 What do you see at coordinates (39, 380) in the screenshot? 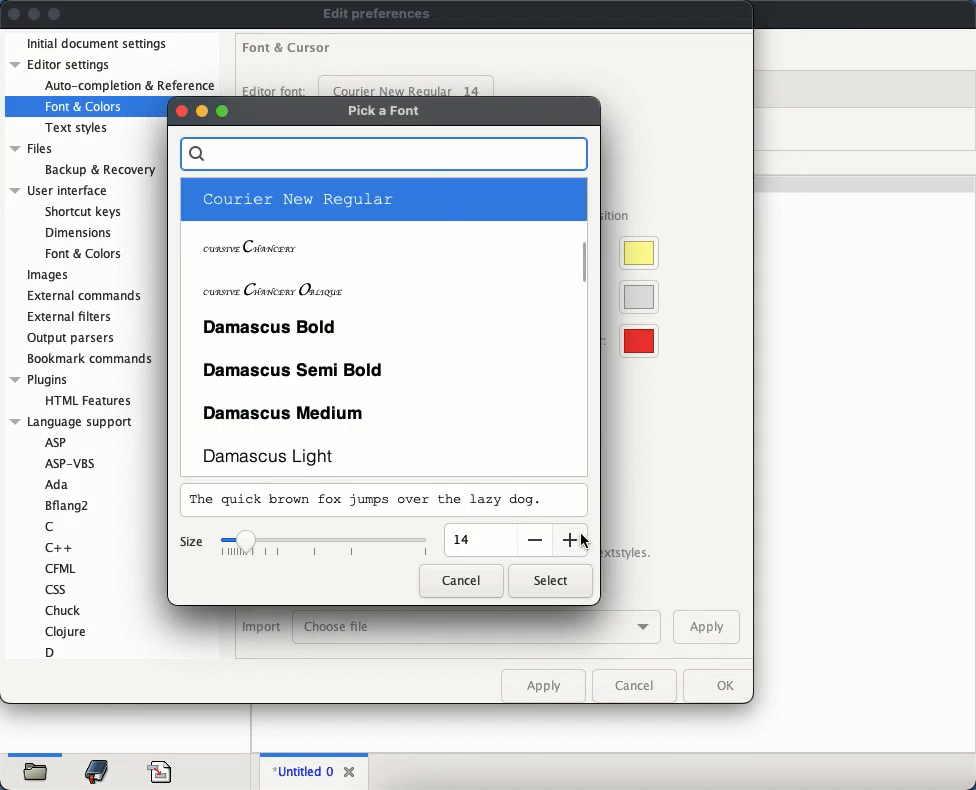
I see `plugins` at bounding box center [39, 380].